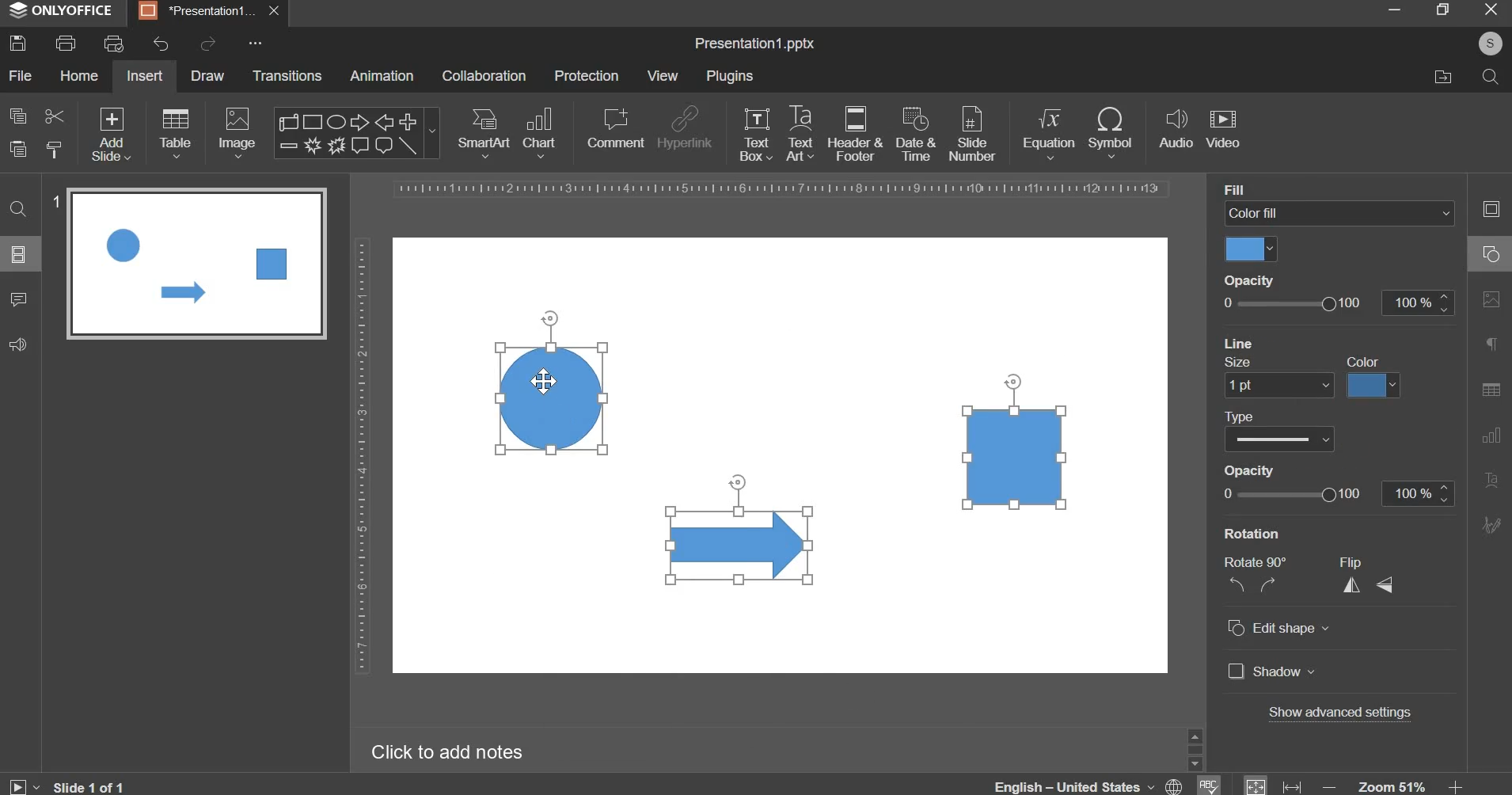 The height and width of the screenshot is (795, 1512). I want to click on search, so click(1489, 75).